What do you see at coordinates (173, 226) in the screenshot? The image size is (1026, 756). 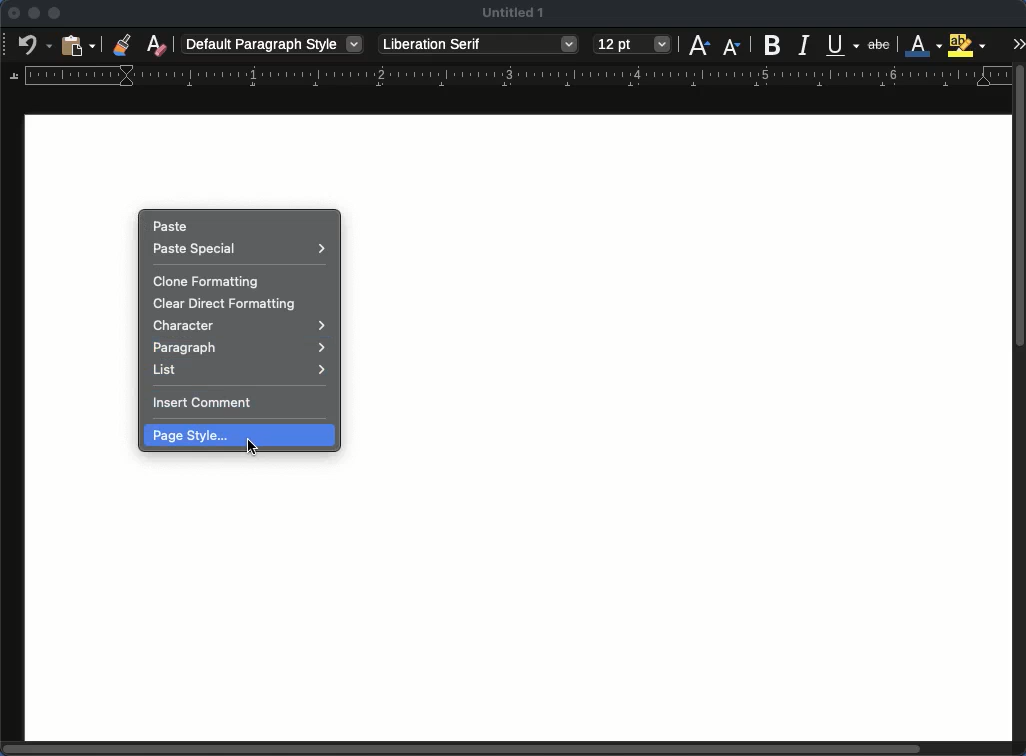 I see `paste` at bounding box center [173, 226].